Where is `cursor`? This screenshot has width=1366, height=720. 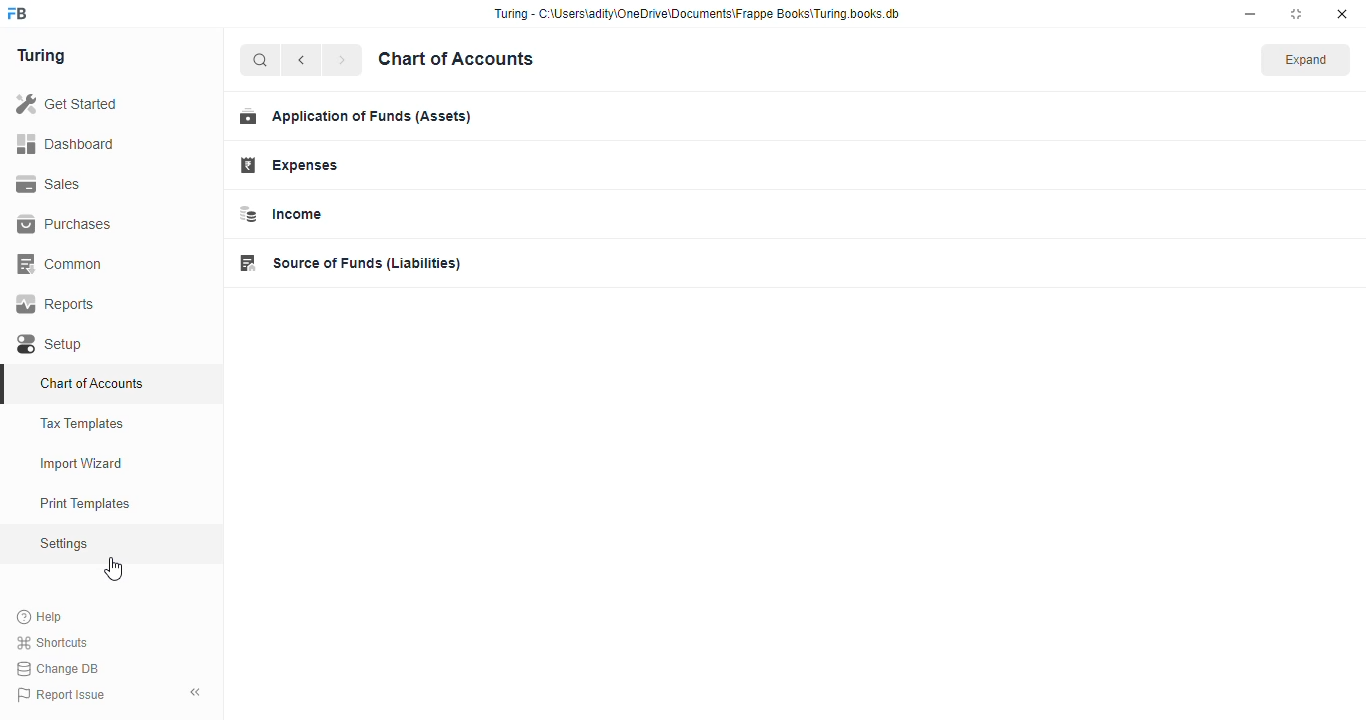
cursor is located at coordinates (117, 571).